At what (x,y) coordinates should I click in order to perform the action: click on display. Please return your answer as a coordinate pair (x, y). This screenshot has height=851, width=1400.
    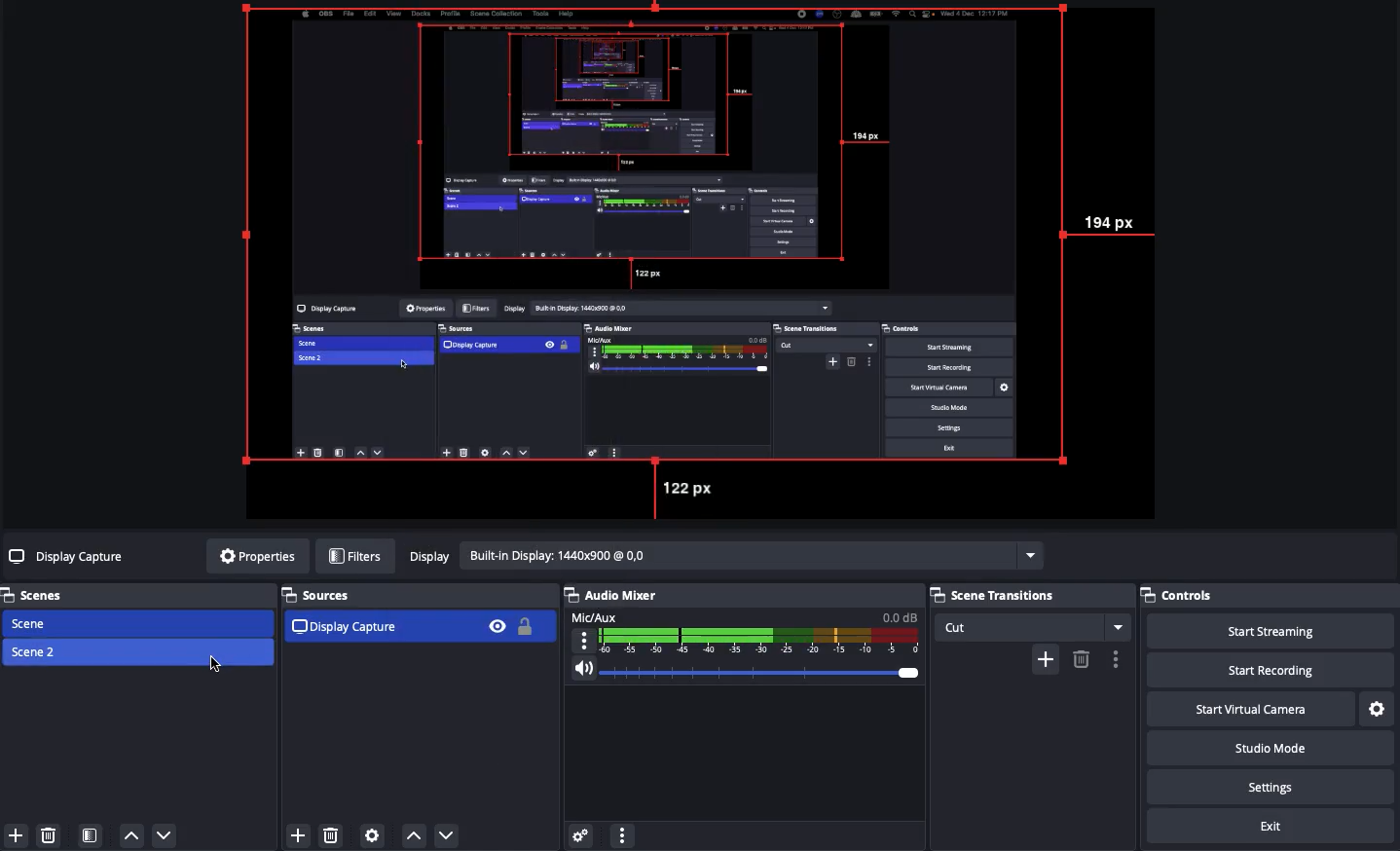
    Looking at the image, I should click on (425, 555).